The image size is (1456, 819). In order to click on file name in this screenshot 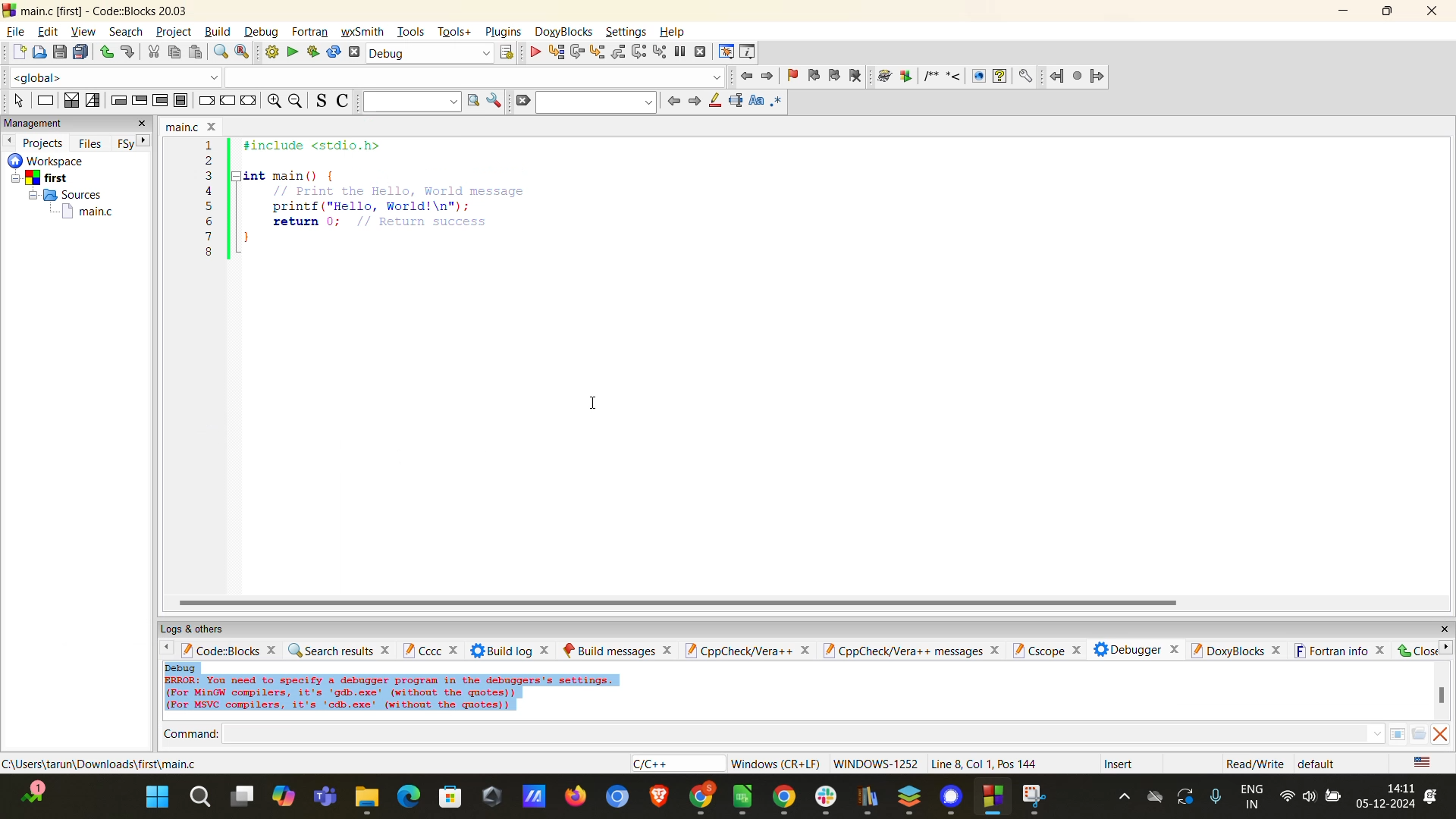, I will do `click(202, 127)`.